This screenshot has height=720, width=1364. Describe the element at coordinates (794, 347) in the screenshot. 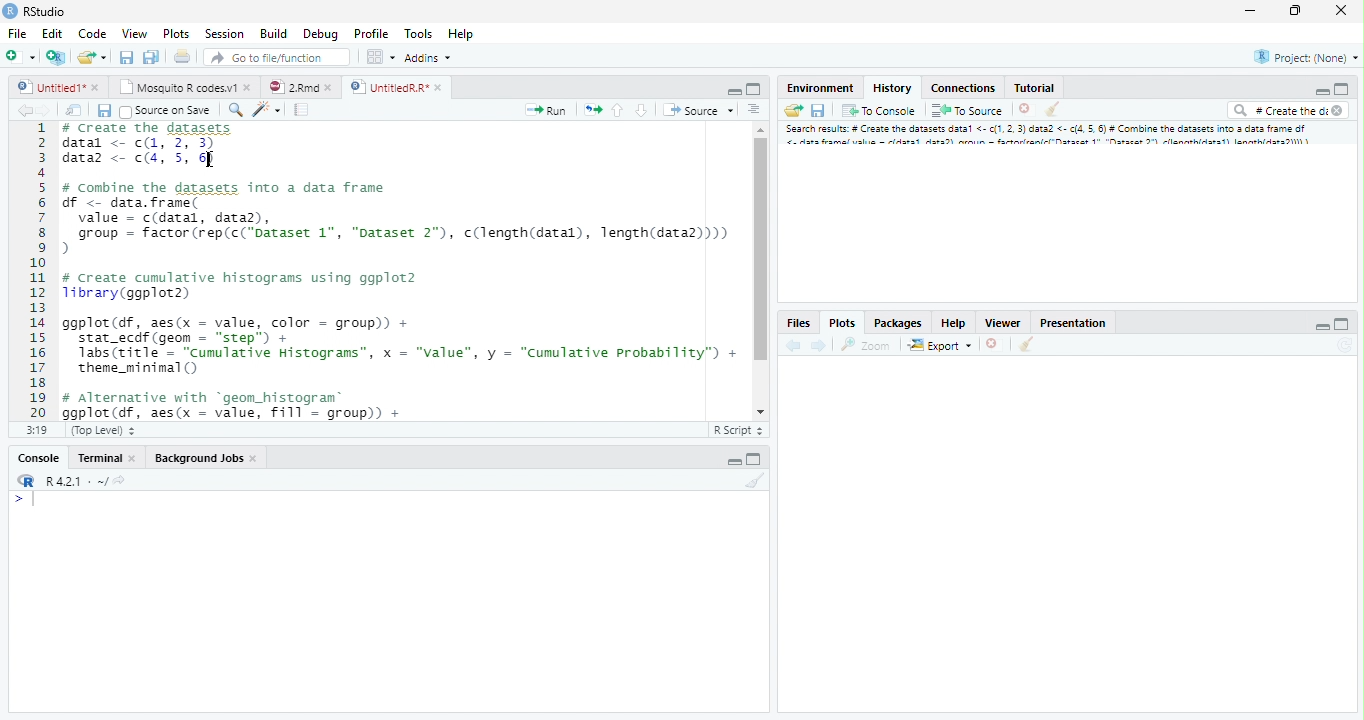

I see `back` at that location.